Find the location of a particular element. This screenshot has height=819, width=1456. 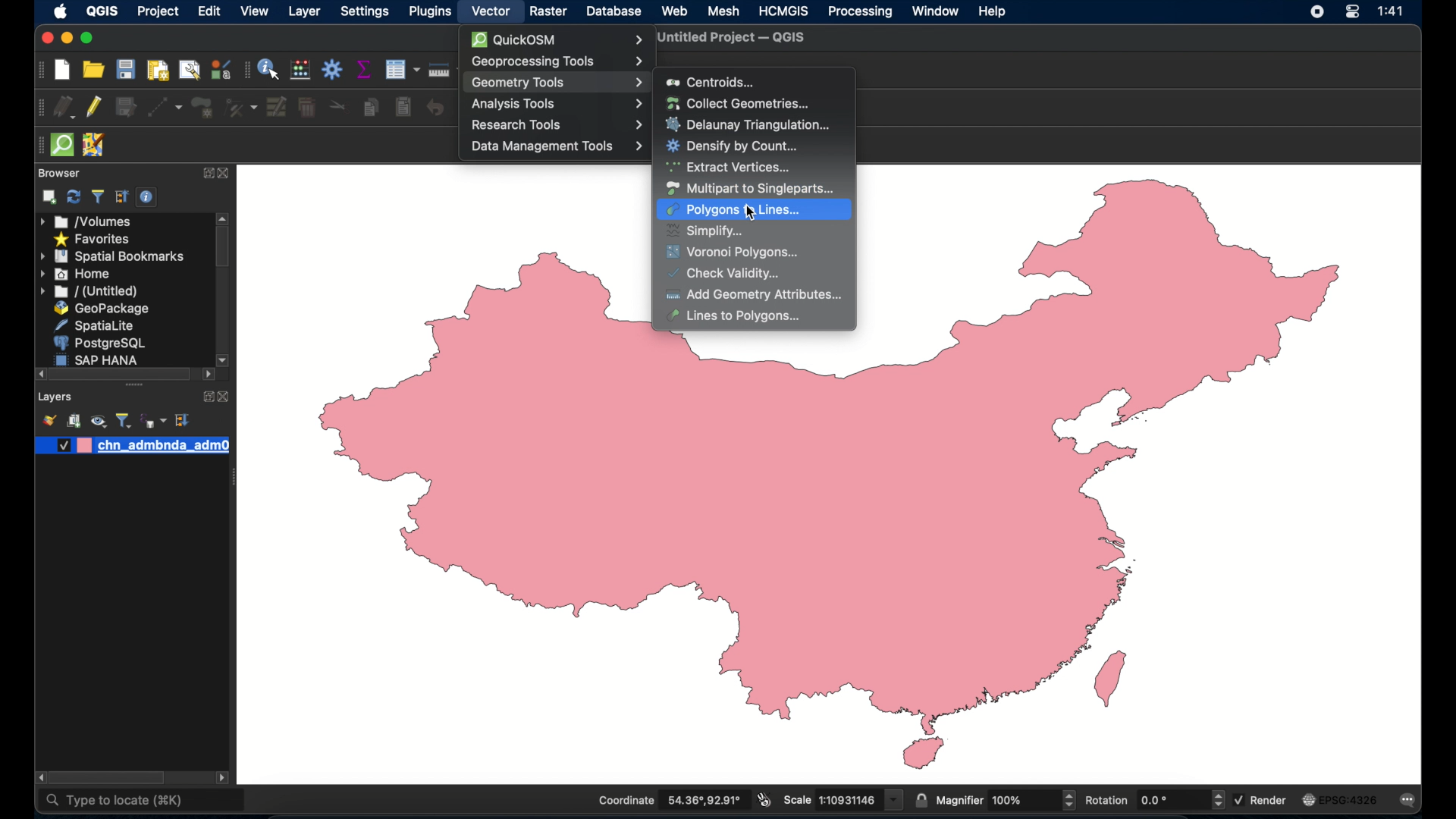

vertex tool is located at coordinates (241, 108).